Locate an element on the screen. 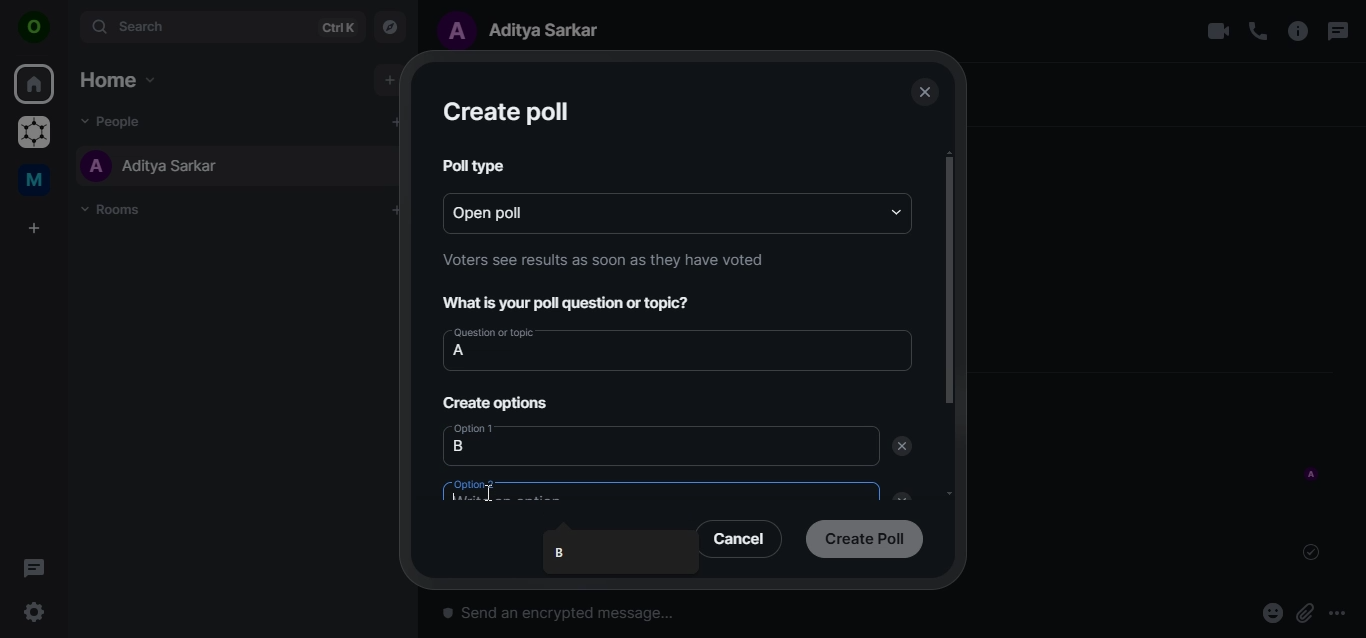 Image resolution: width=1366 pixels, height=638 pixels. create options is located at coordinates (498, 403).